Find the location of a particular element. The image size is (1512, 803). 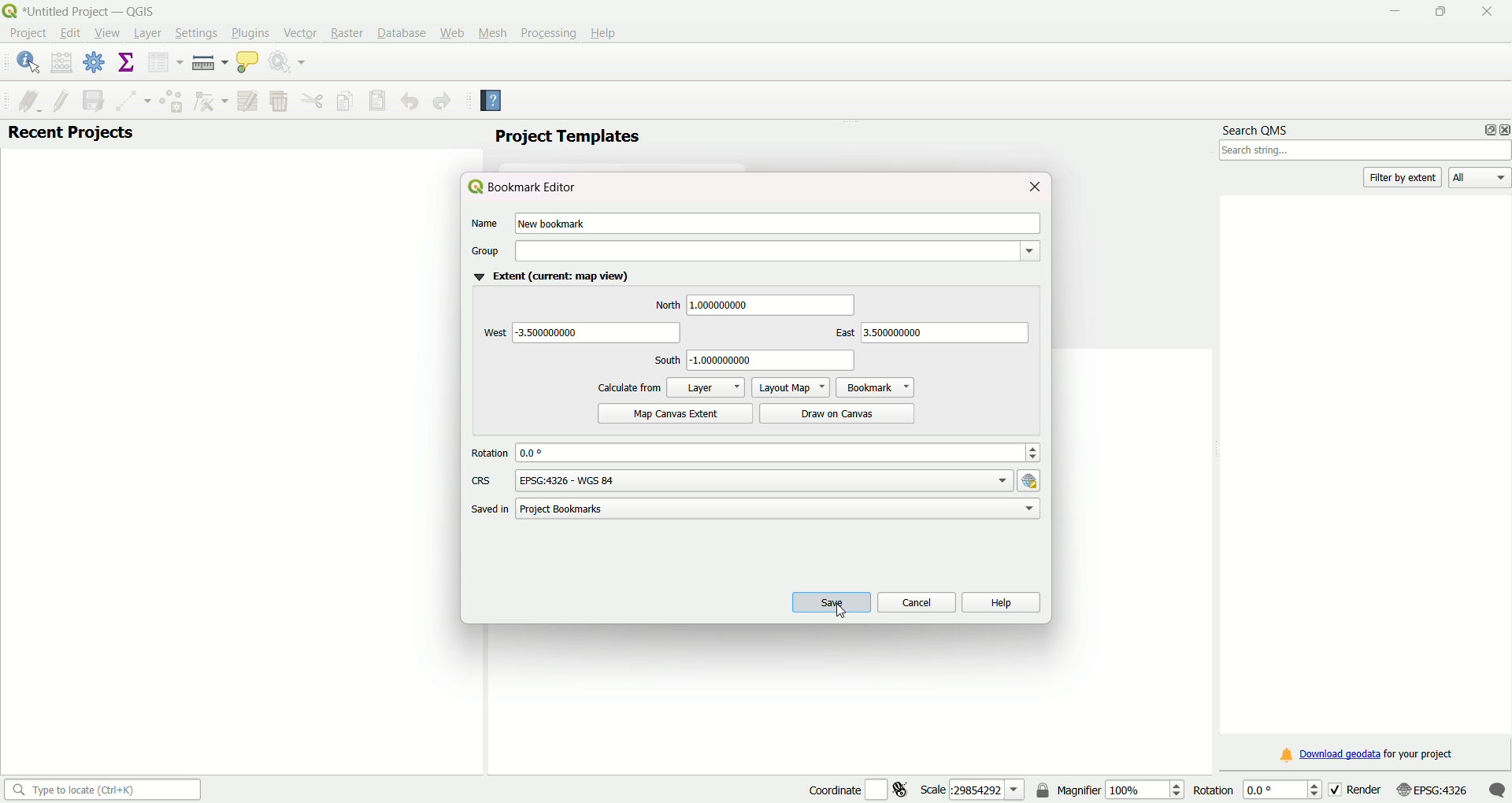

search bar is located at coordinates (1366, 152).